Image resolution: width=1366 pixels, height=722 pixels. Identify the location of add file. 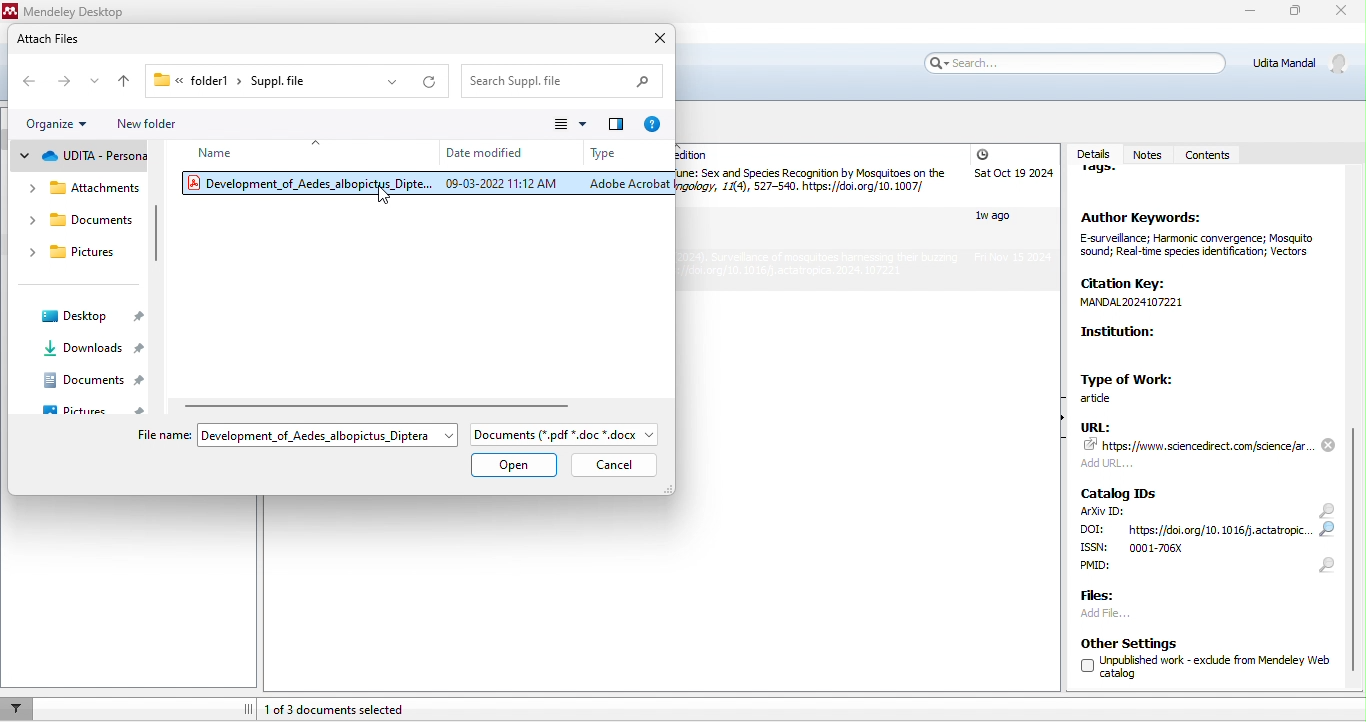
(1131, 613).